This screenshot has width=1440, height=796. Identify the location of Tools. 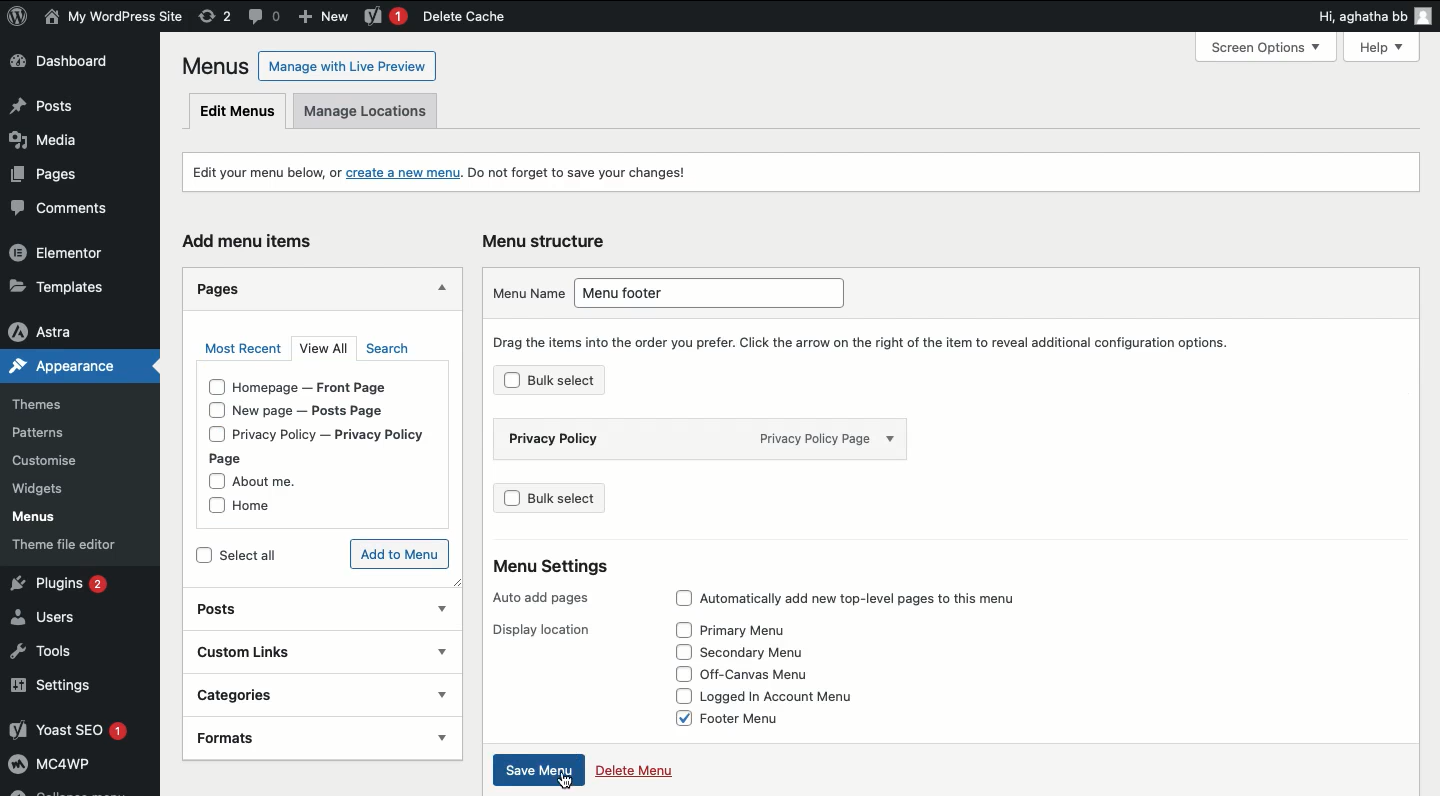
(50, 652).